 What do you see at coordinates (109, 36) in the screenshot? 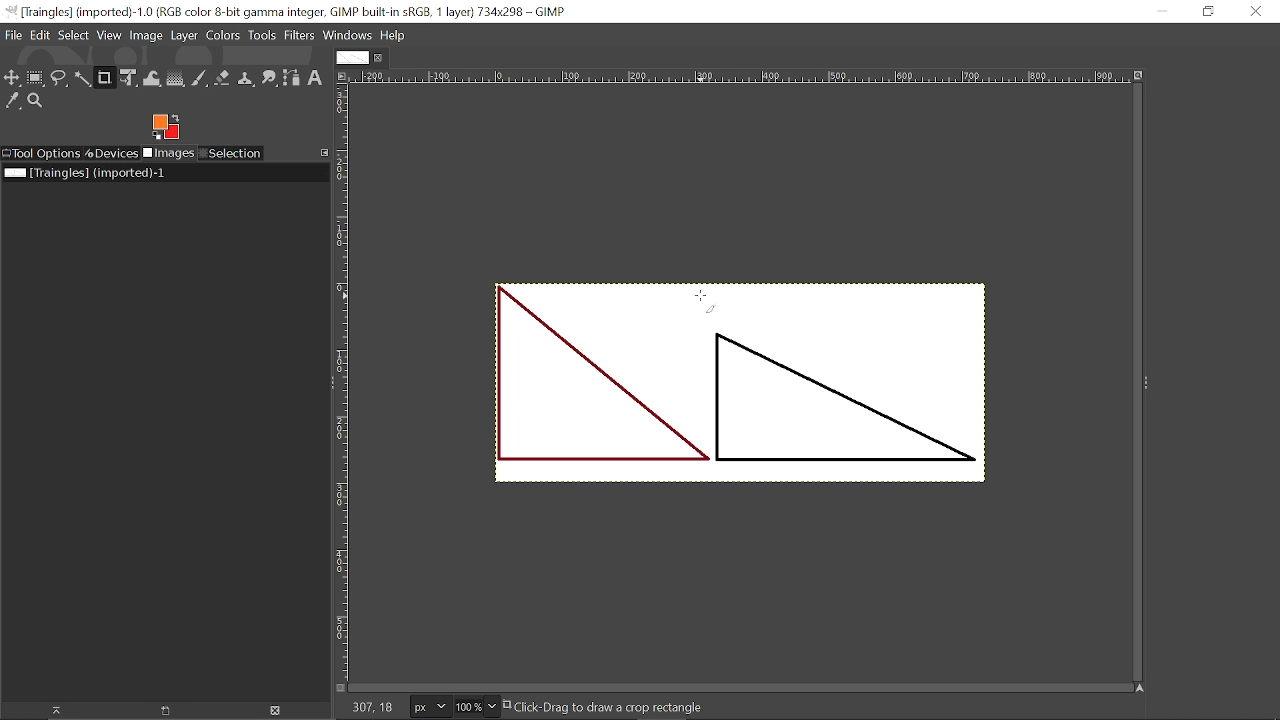
I see `View` at bounding box center [109, 36].